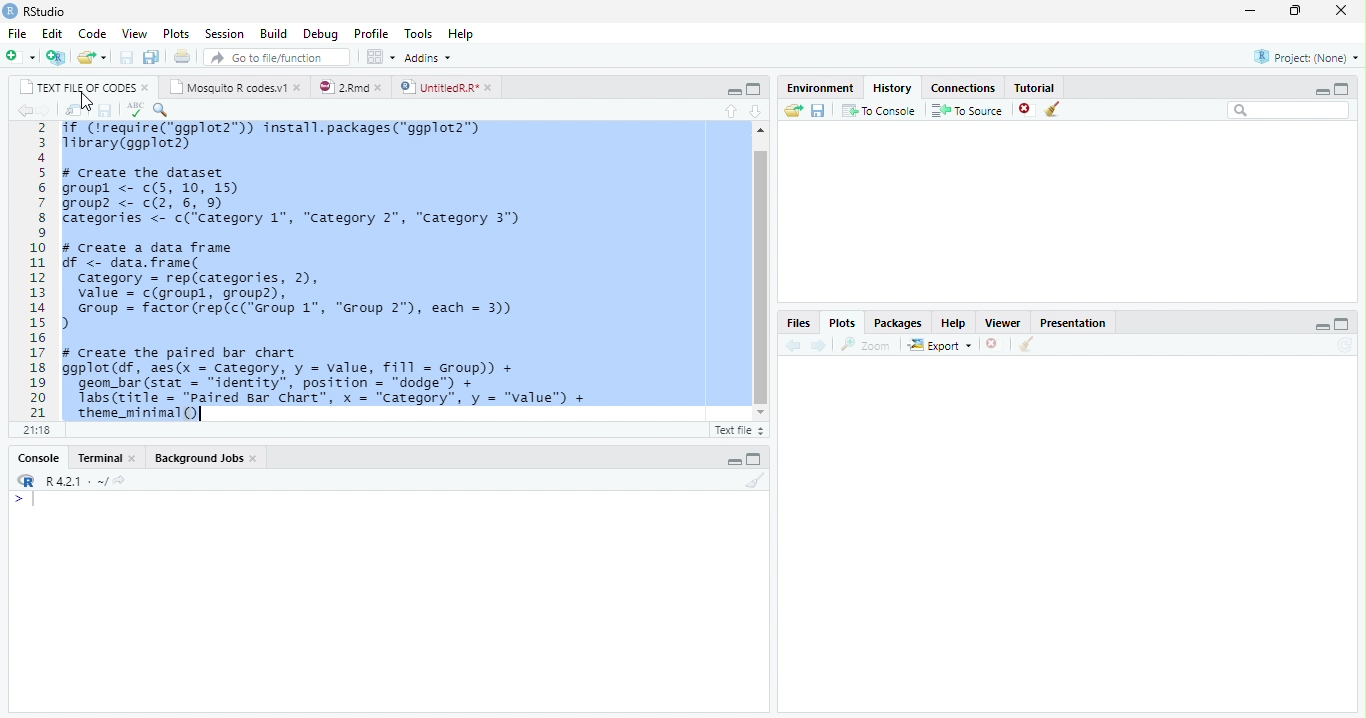 The width and height of the screenshot is (1366, 718). Describe the element at coordinates (817, 110) in the screenshot. I see `save history ` at that location.